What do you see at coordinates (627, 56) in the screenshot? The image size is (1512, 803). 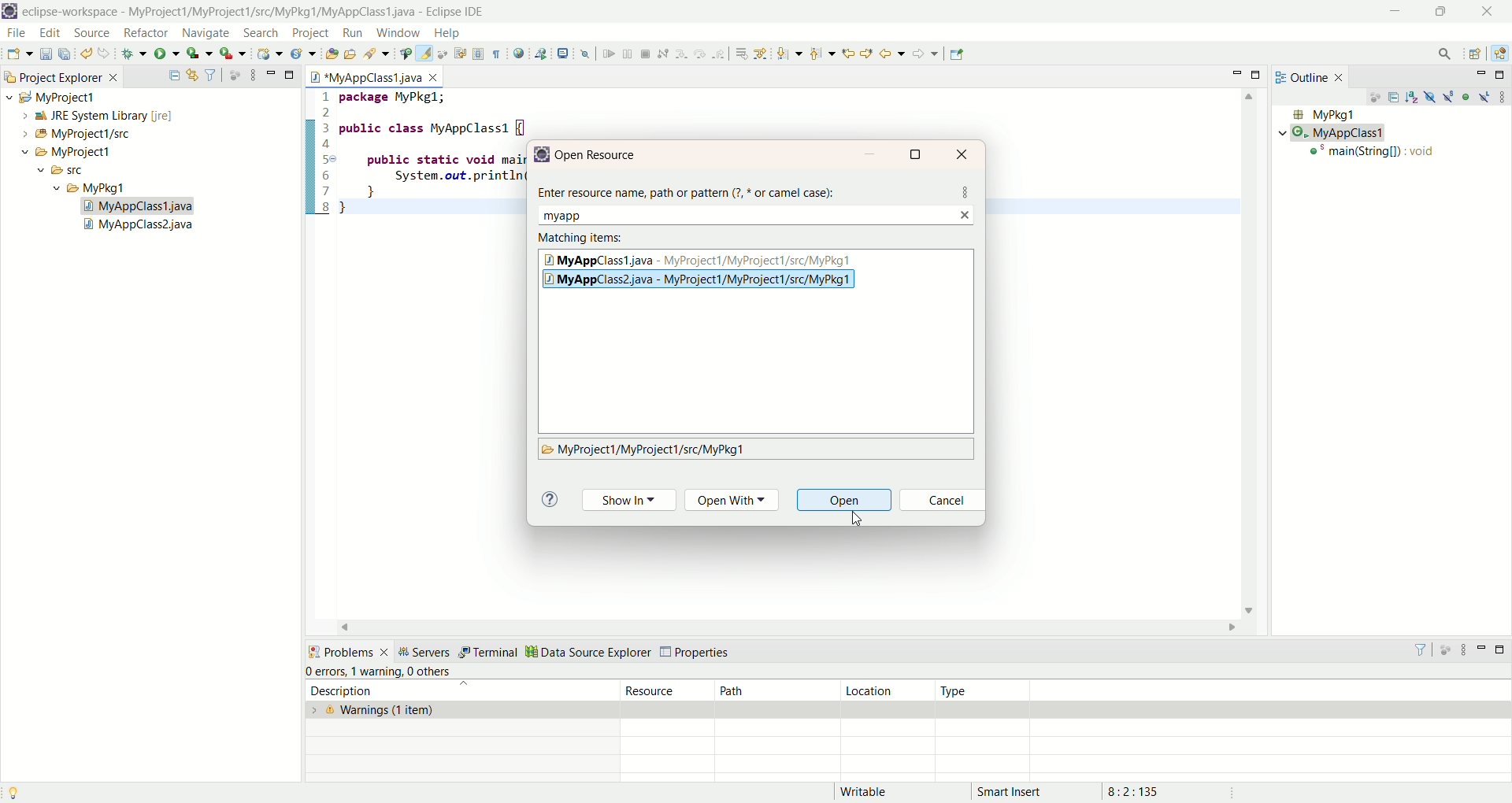 I see `suspend` at bounding box center [627, 56].